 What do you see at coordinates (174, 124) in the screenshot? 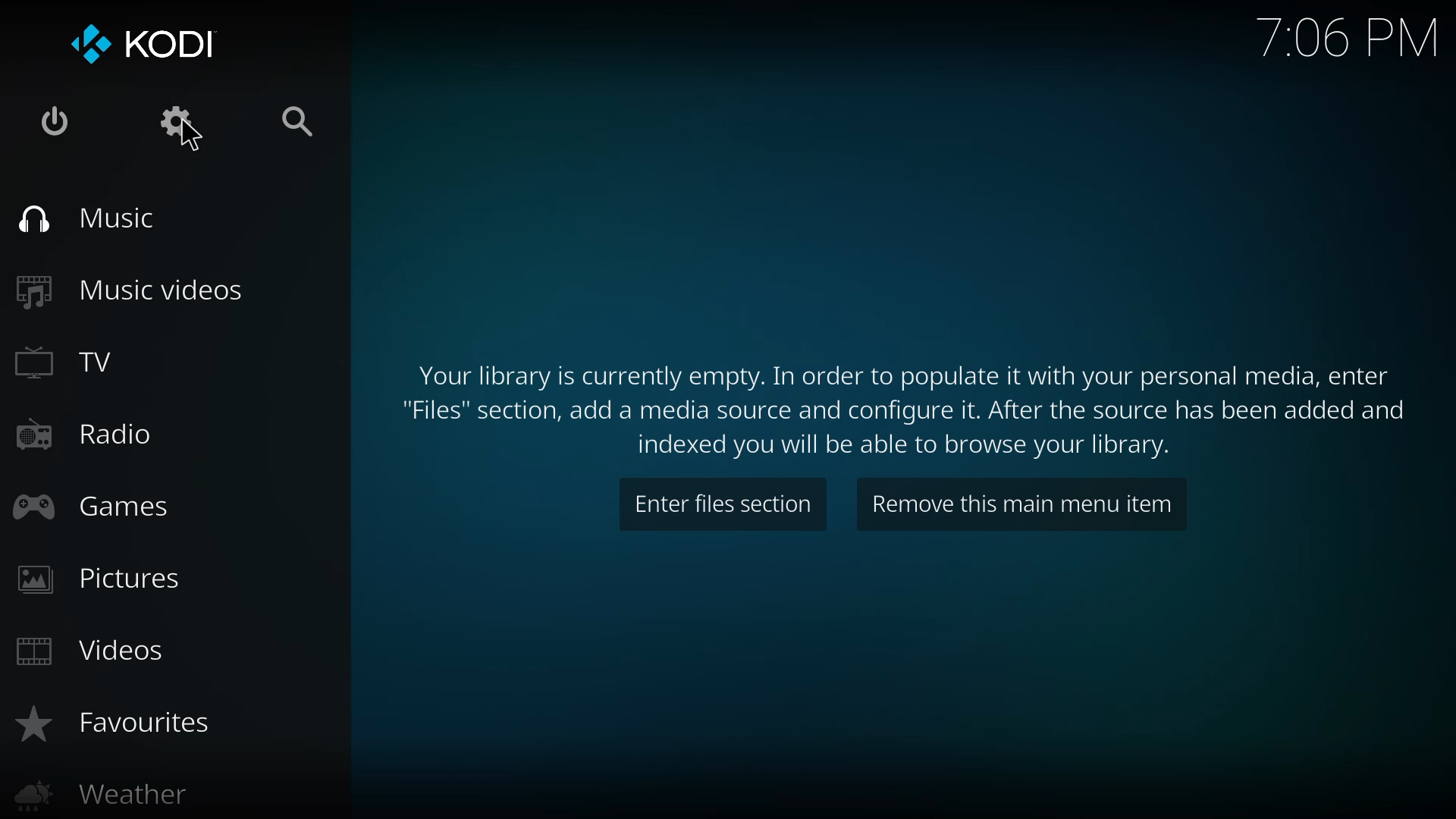
I see `settings` at bounding box center [174, 124].